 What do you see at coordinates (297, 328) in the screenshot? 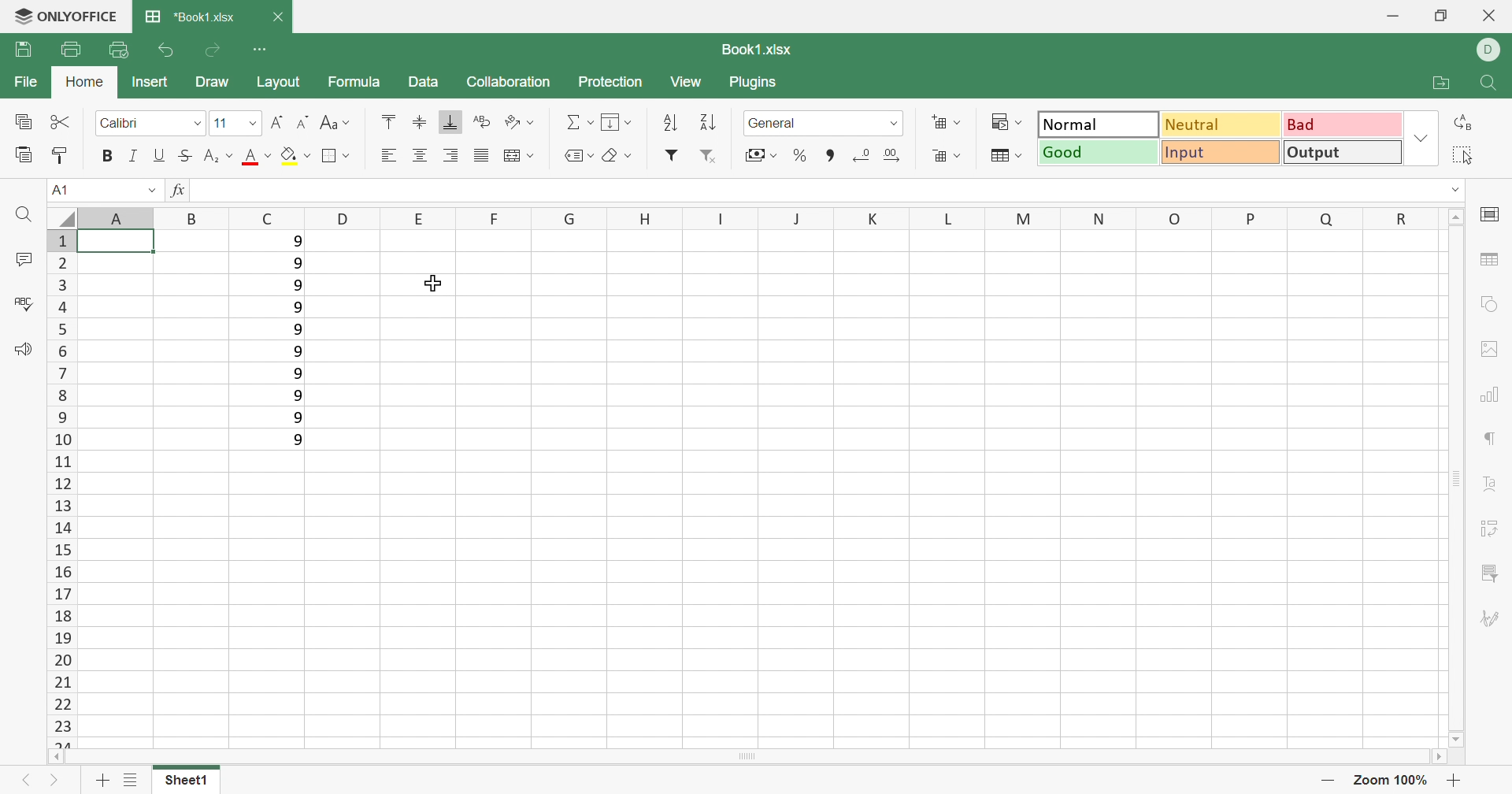
I see `9` at bounding box center [297, 328].